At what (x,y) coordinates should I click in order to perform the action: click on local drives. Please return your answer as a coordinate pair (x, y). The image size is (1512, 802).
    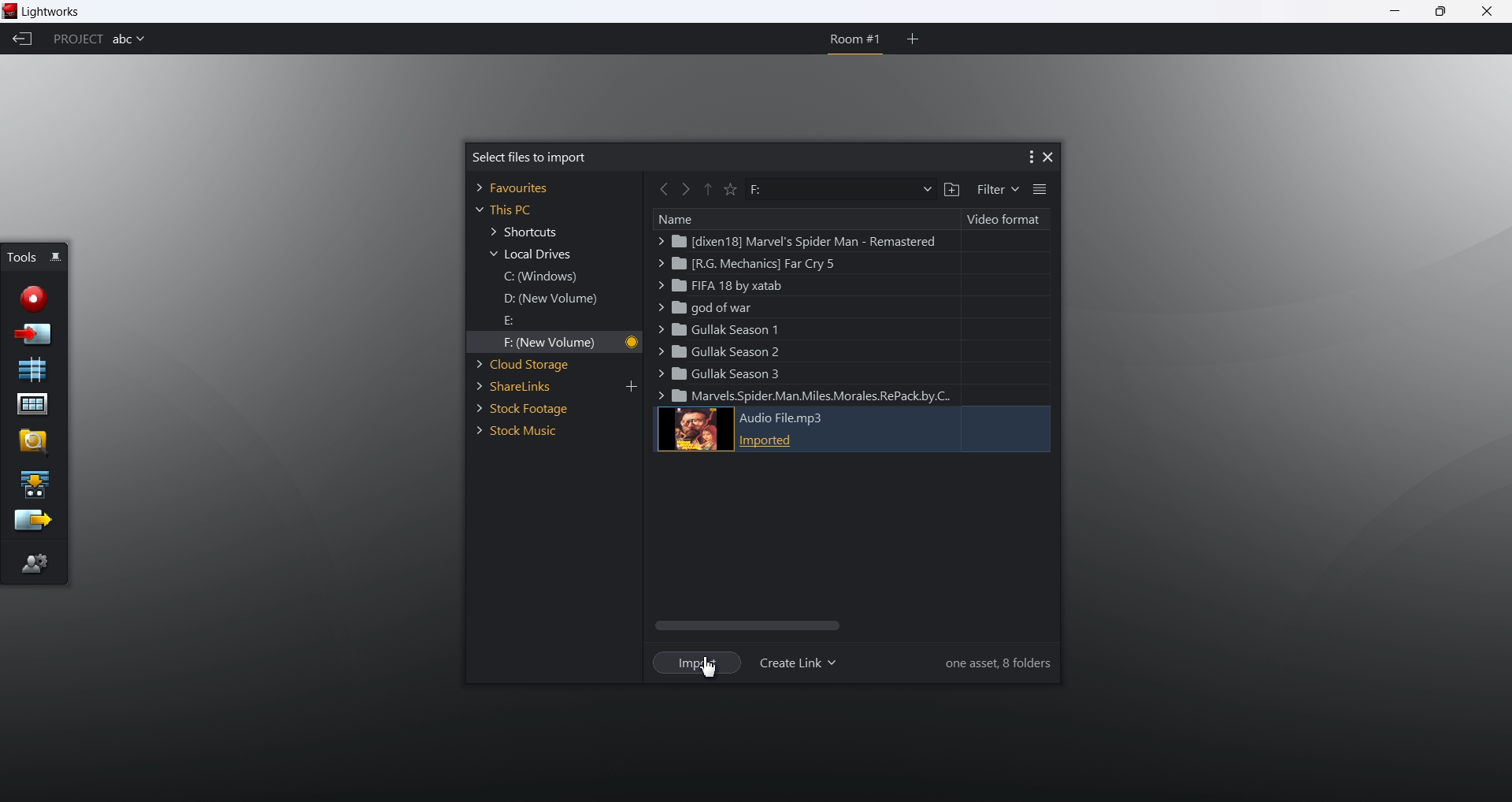
    Looking at the image, I should click on (532, 254).